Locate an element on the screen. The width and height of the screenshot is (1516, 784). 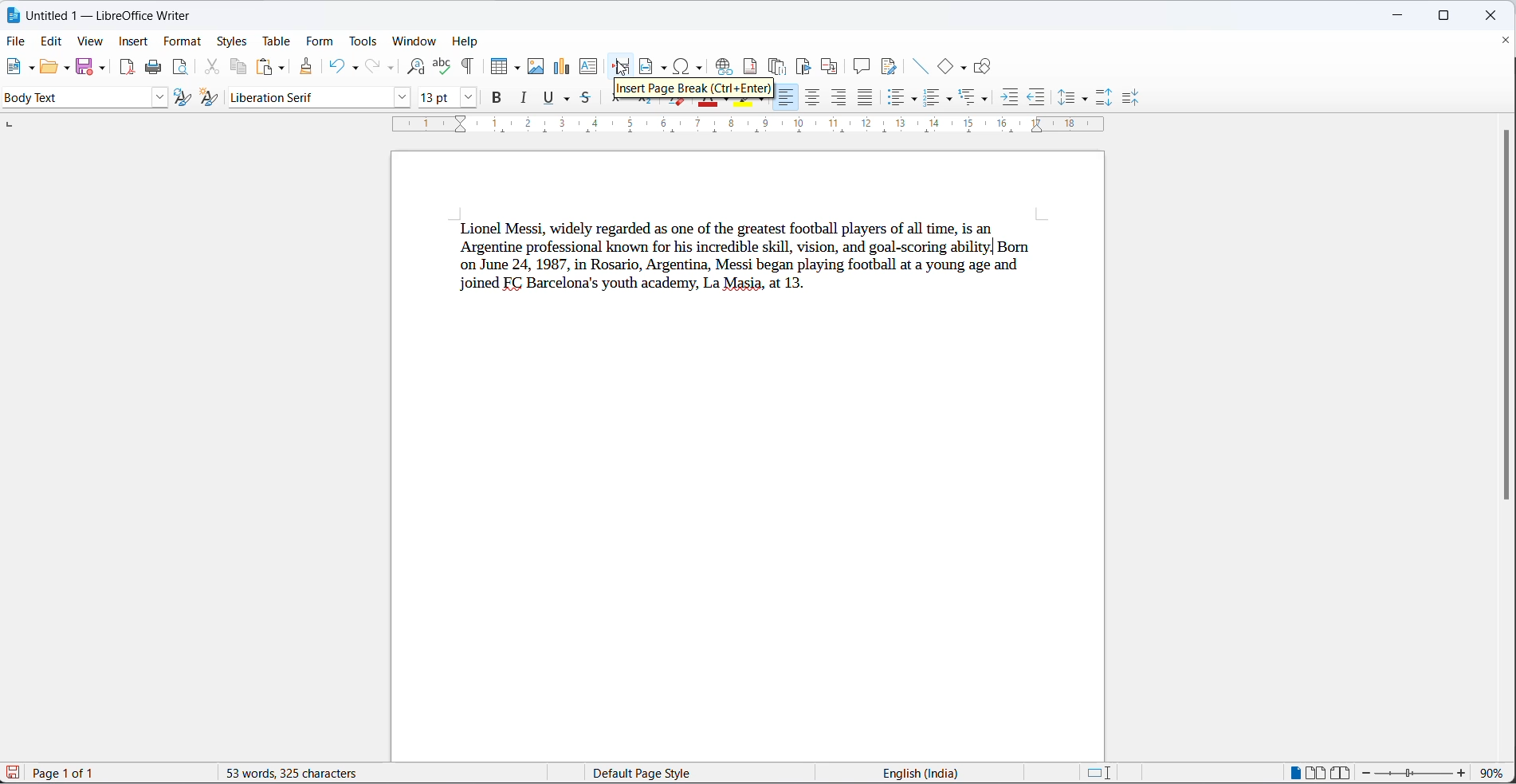
insert footnote is located at coordinates (751, 66).